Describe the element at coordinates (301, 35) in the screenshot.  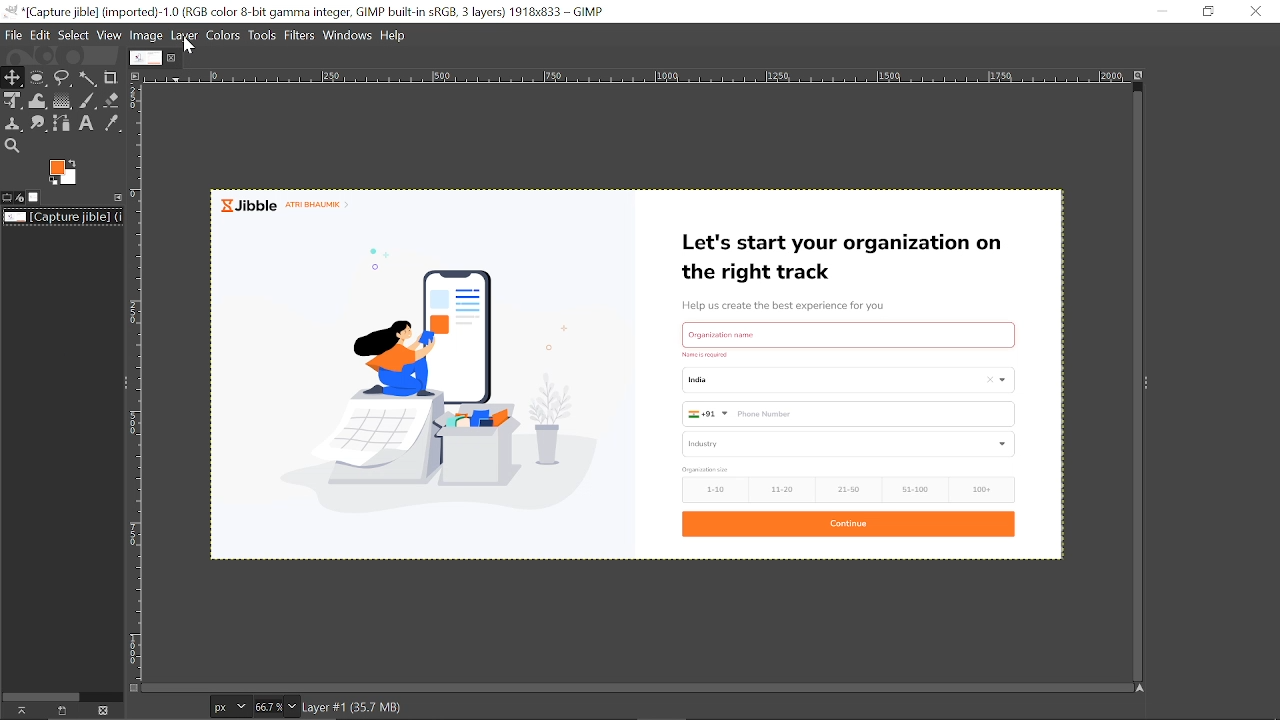
I see `Filters` at that location.